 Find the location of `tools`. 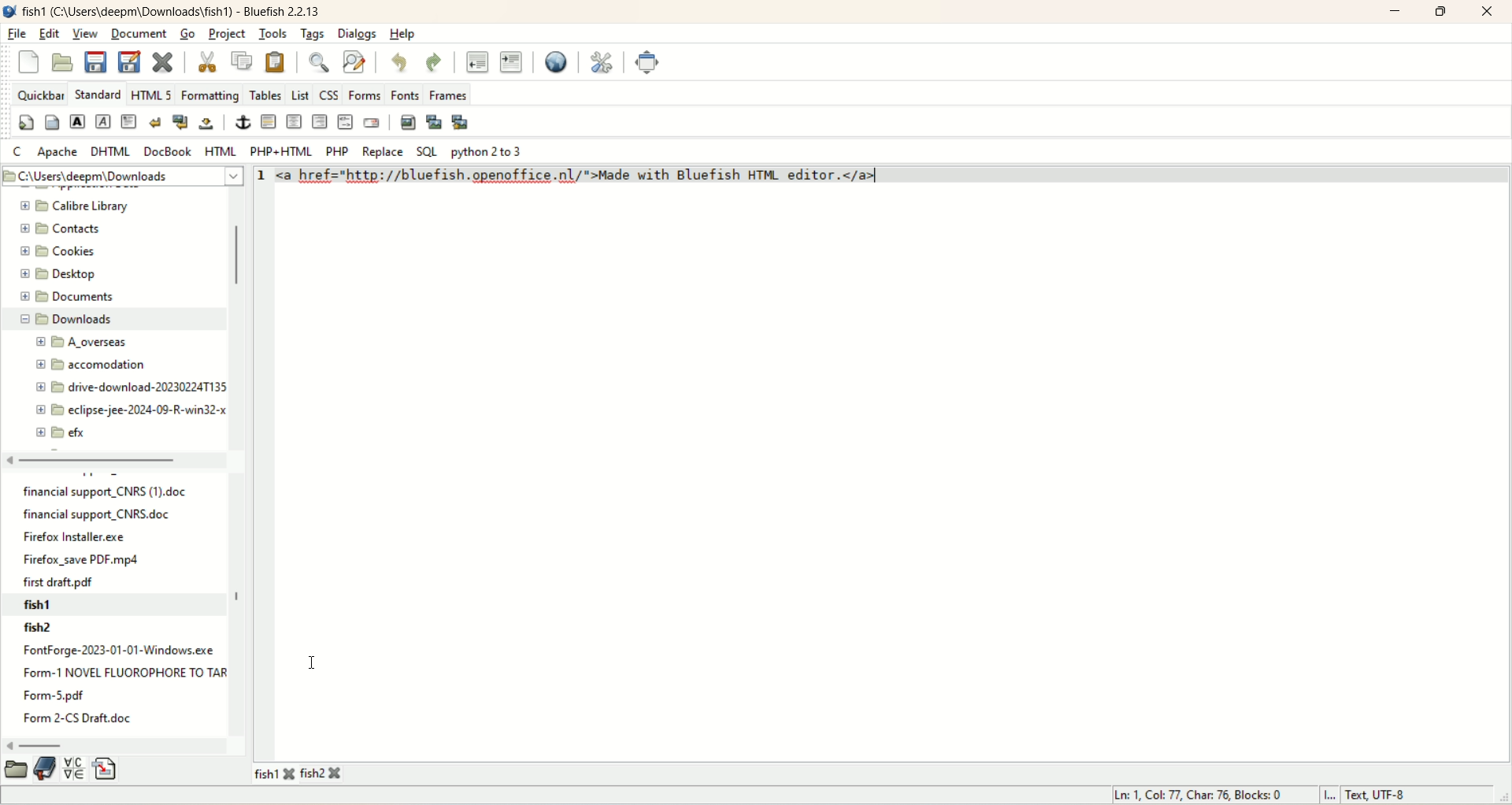

tools is located at coordinates (275, 34).